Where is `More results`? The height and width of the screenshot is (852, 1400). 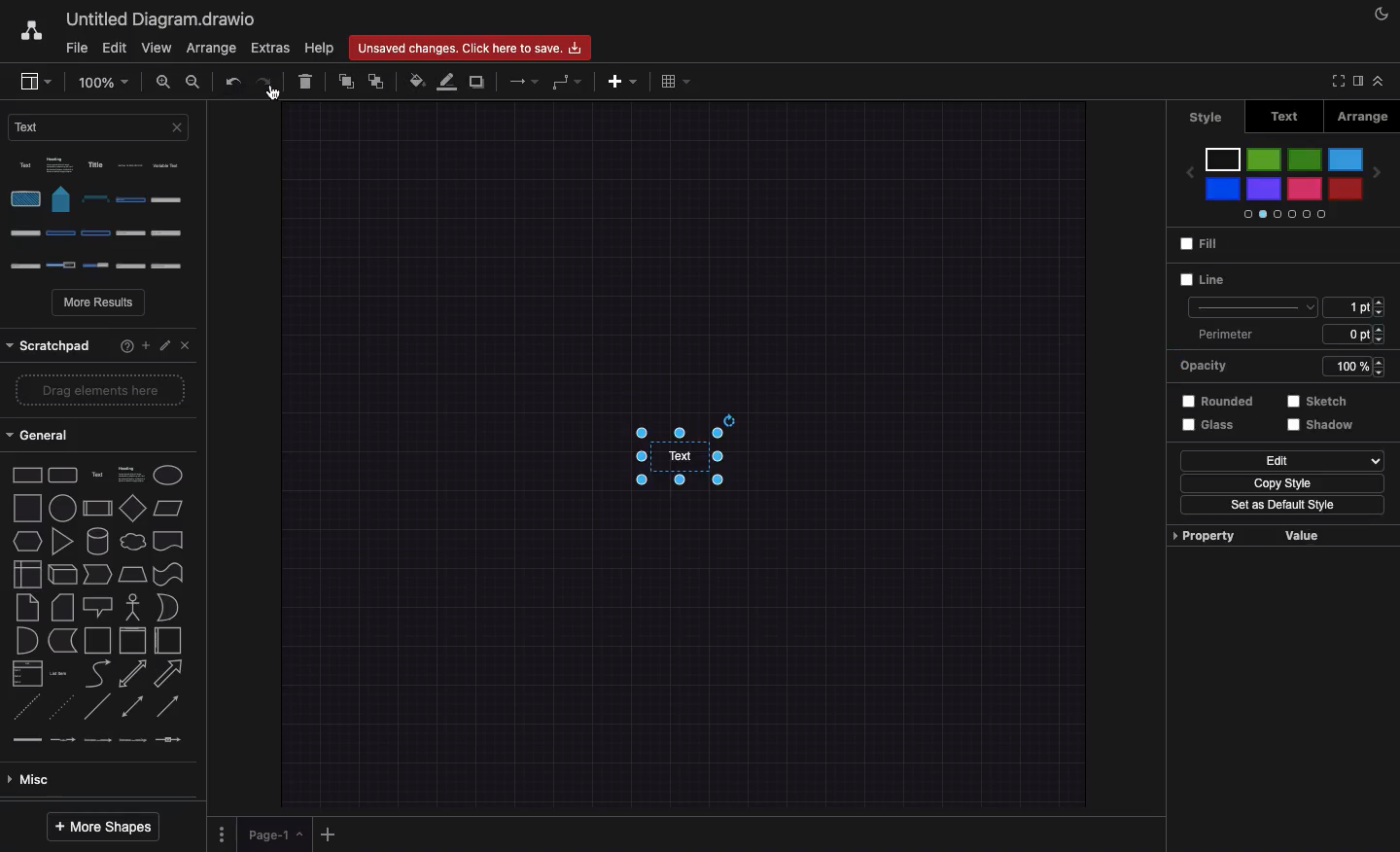 More results is located at coordinates (100, 304).